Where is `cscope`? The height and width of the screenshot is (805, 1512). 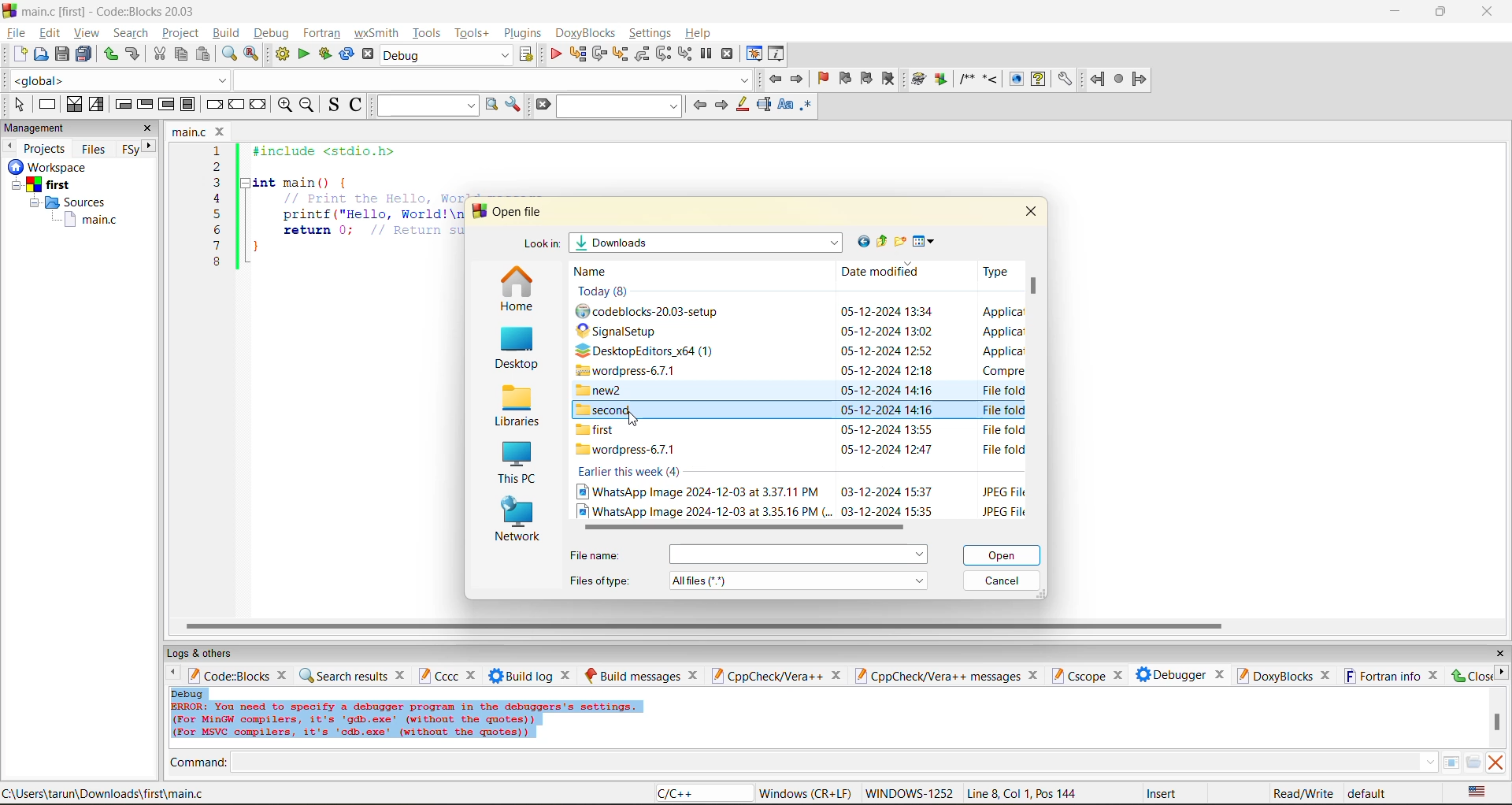
cscope is located at coordinates (1077, 674).